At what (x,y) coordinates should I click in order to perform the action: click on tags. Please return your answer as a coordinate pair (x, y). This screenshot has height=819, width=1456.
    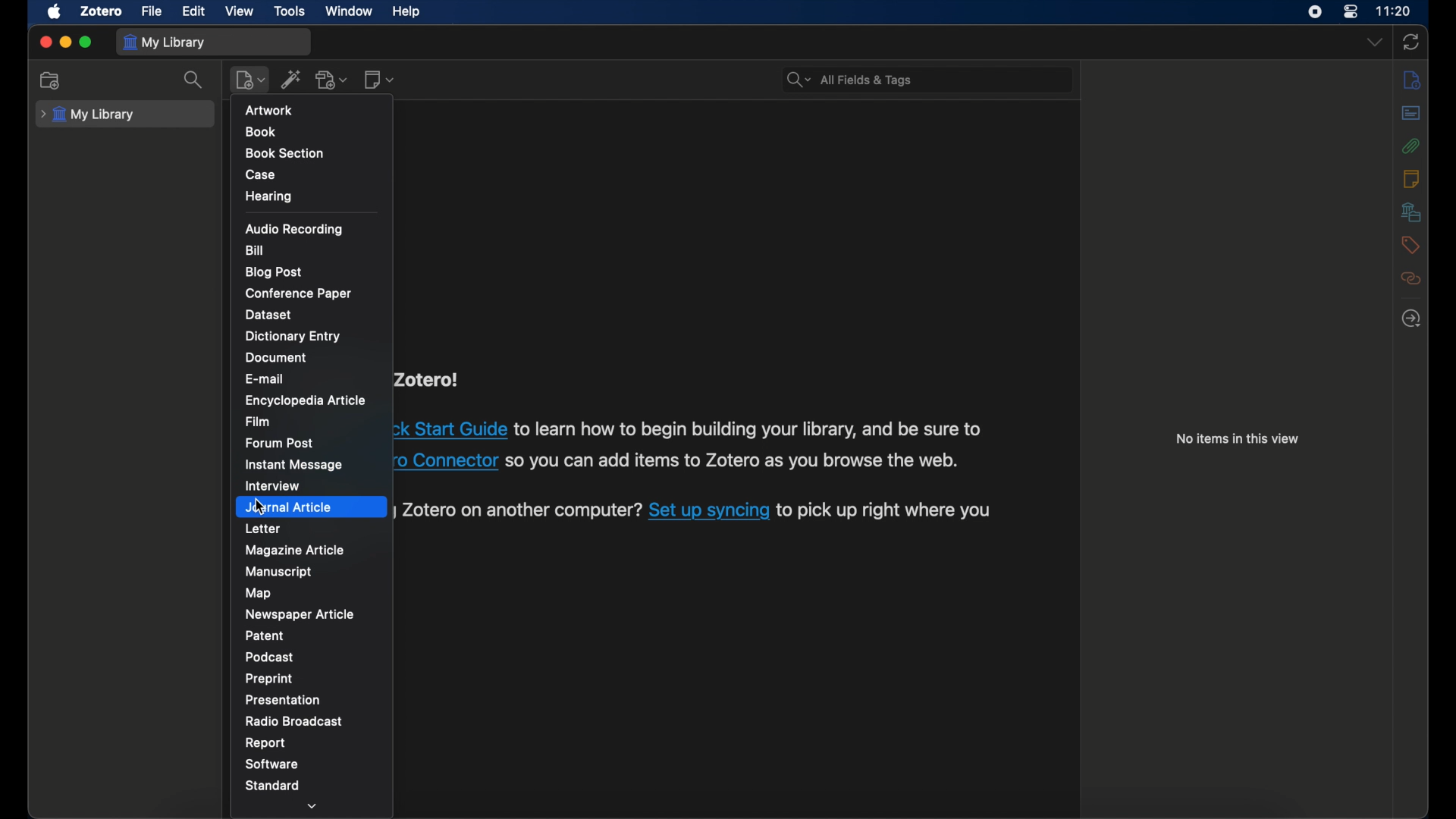
    Looking at the image, I should click on (1409, 244).